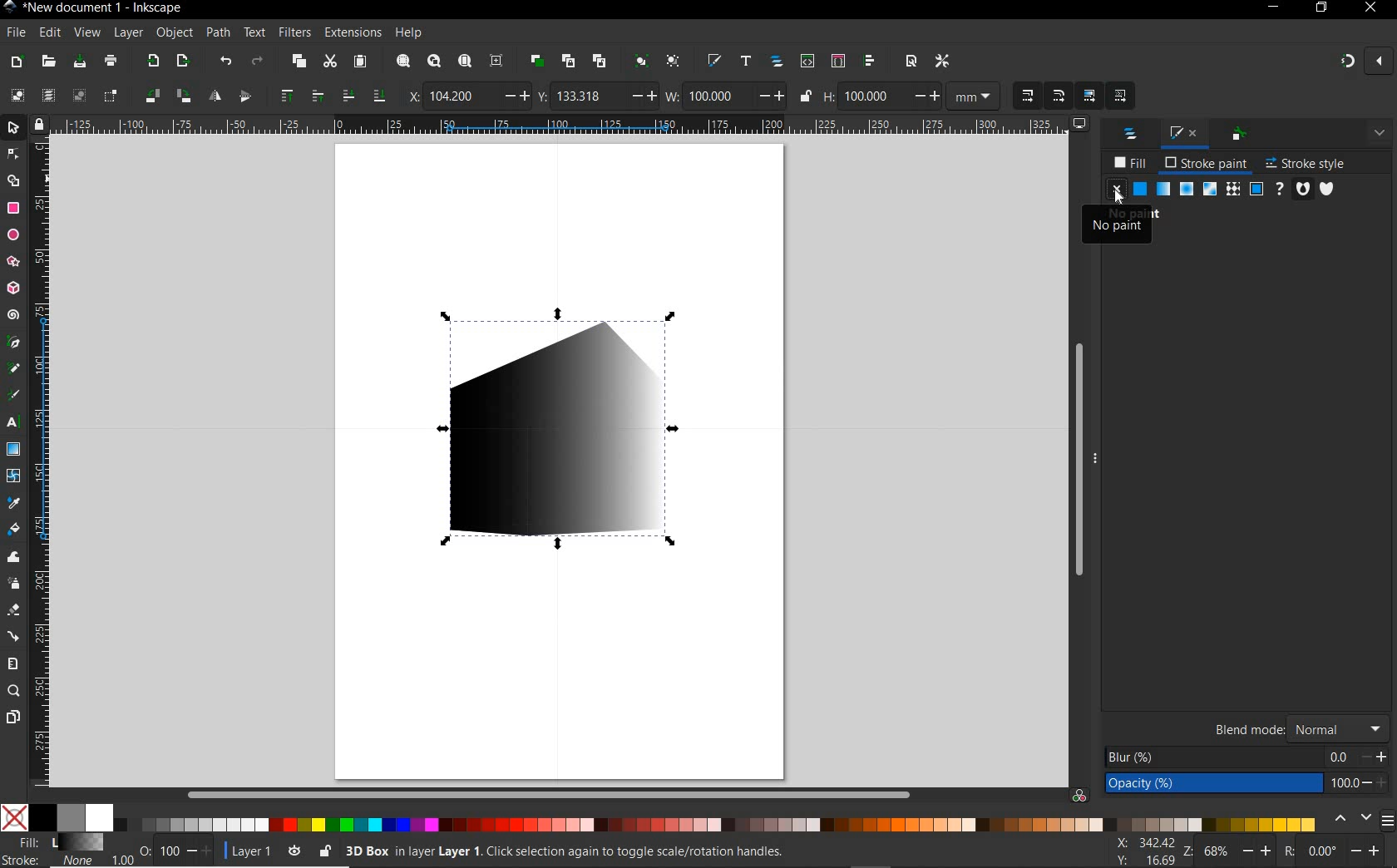  What do you see at coordinates (325, 852) in the screenshot?
I see `LOCK OR UNLOCK CURRENT LAYER` at bounding box center [325, 852].